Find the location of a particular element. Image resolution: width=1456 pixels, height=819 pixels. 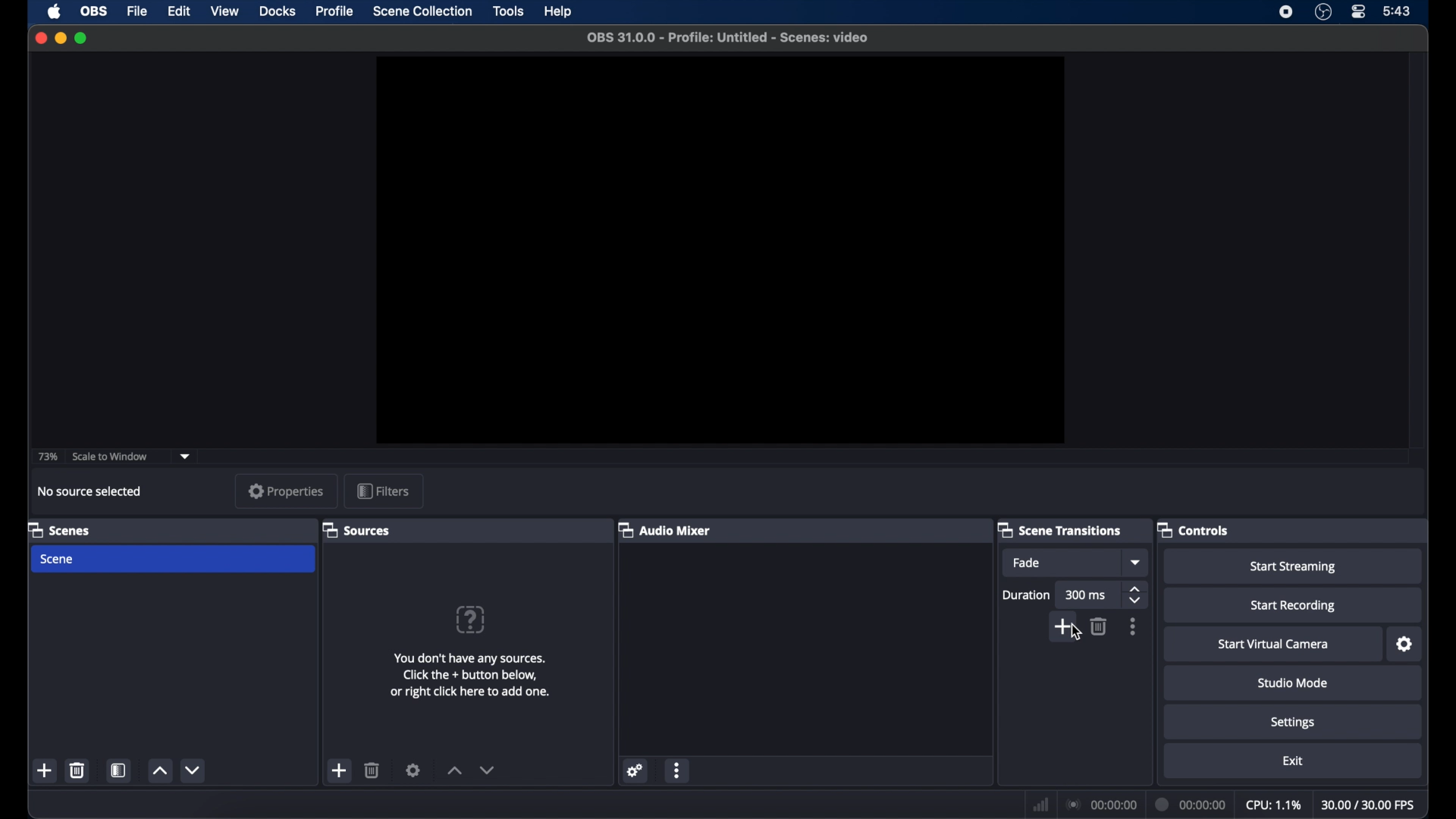

settings is located at coordinates (413, 770).